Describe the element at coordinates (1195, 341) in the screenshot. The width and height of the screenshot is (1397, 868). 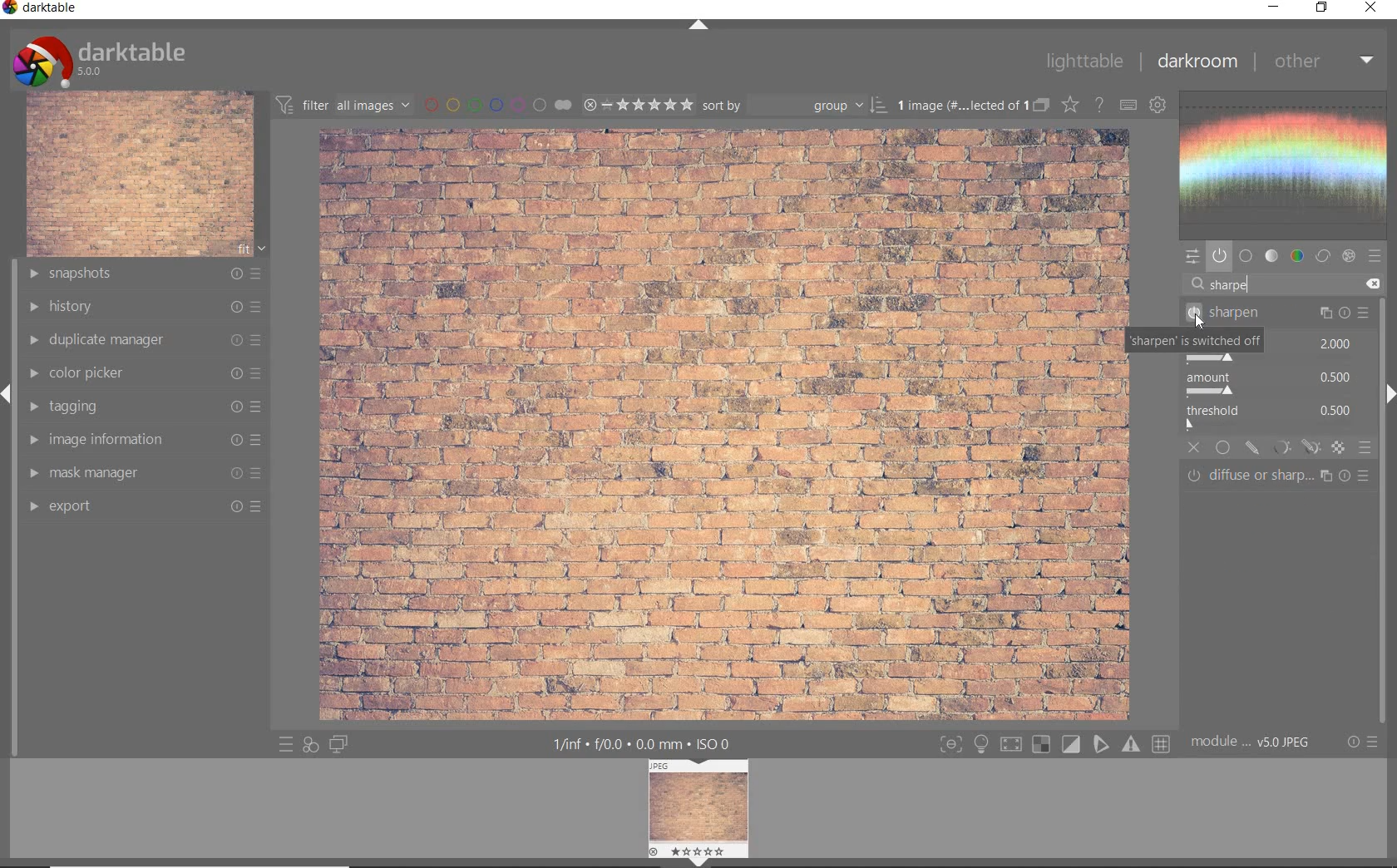
I see `SHARPEN IS SWITCHED OFF` at that location.